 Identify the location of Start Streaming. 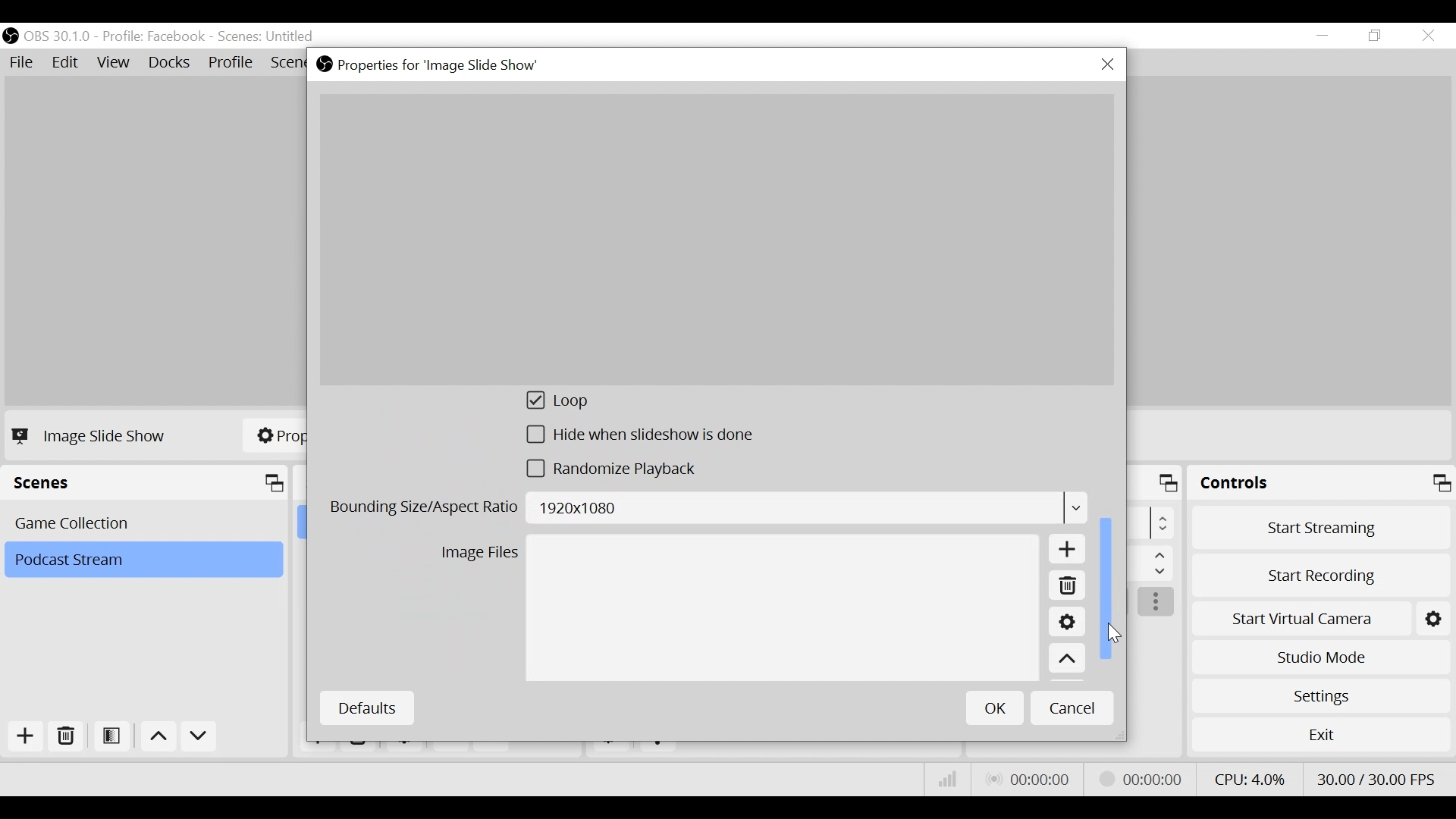
(1322, 527).